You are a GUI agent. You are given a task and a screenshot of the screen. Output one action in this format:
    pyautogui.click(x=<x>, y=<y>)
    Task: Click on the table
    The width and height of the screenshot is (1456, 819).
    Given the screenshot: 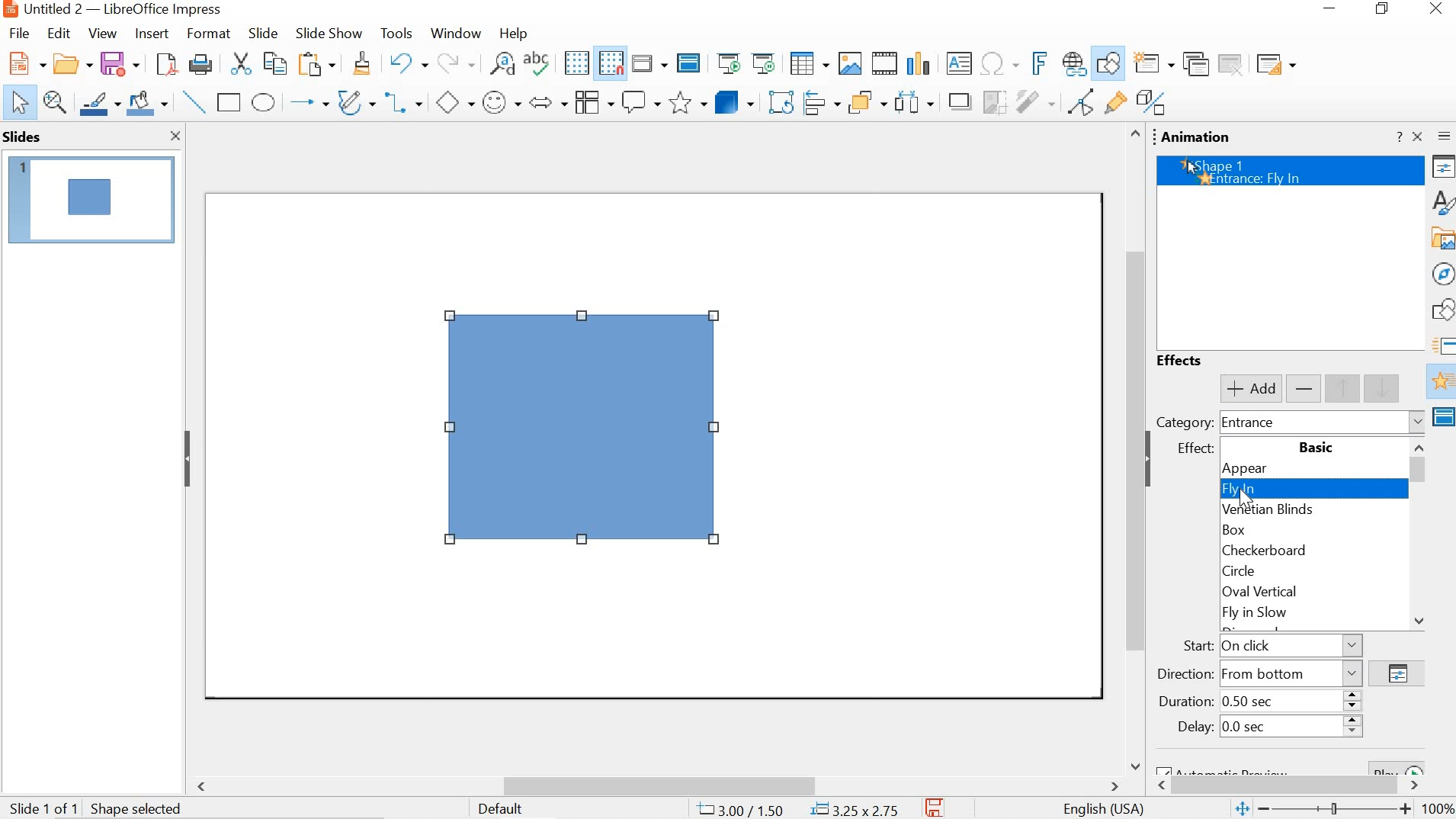 What is the action you would take?
    pyautogui.click(x=809, y=62)
    